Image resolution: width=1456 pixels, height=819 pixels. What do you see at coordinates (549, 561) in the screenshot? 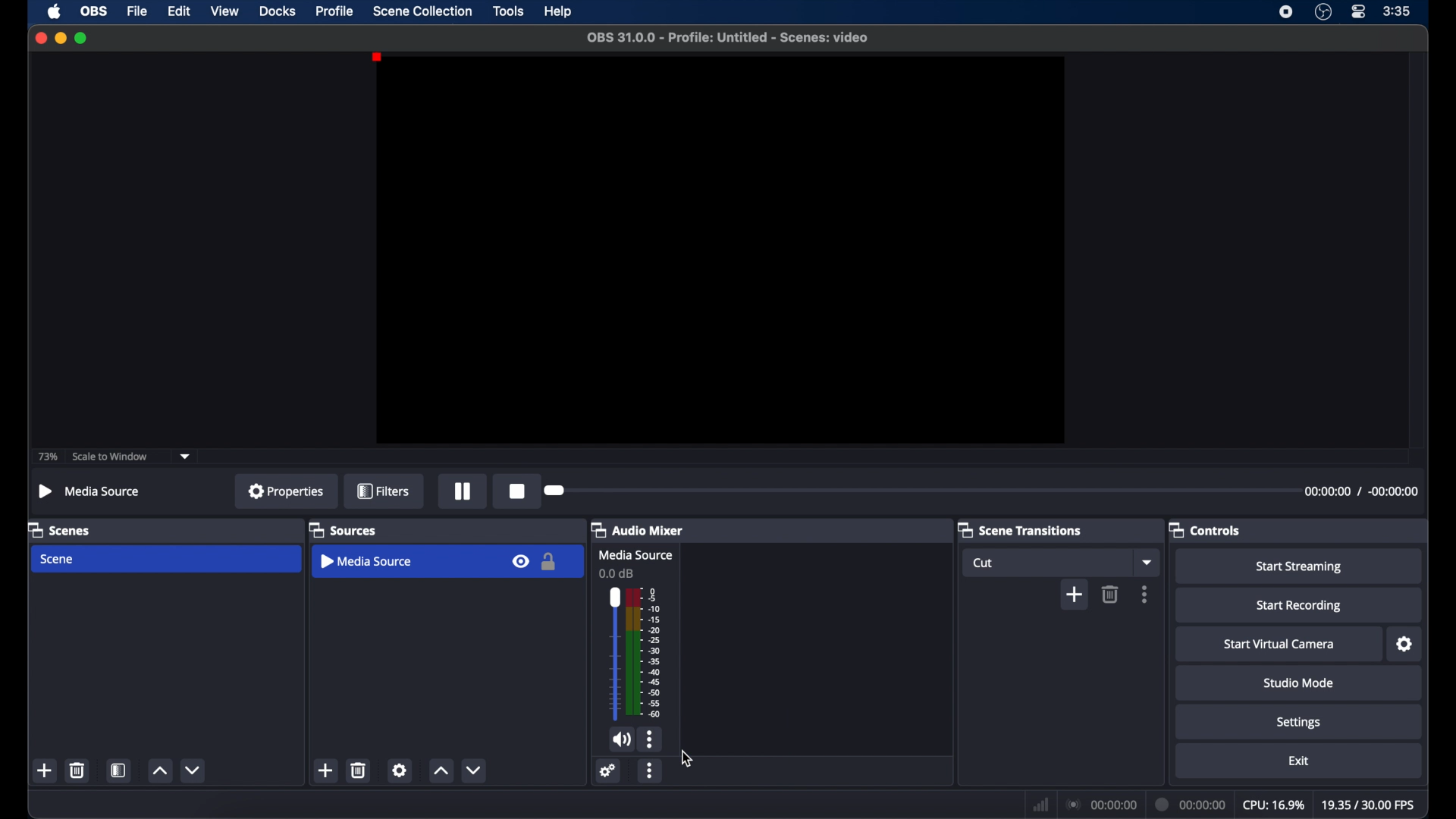
I see `lock icon` at bounding box center [549, 561].